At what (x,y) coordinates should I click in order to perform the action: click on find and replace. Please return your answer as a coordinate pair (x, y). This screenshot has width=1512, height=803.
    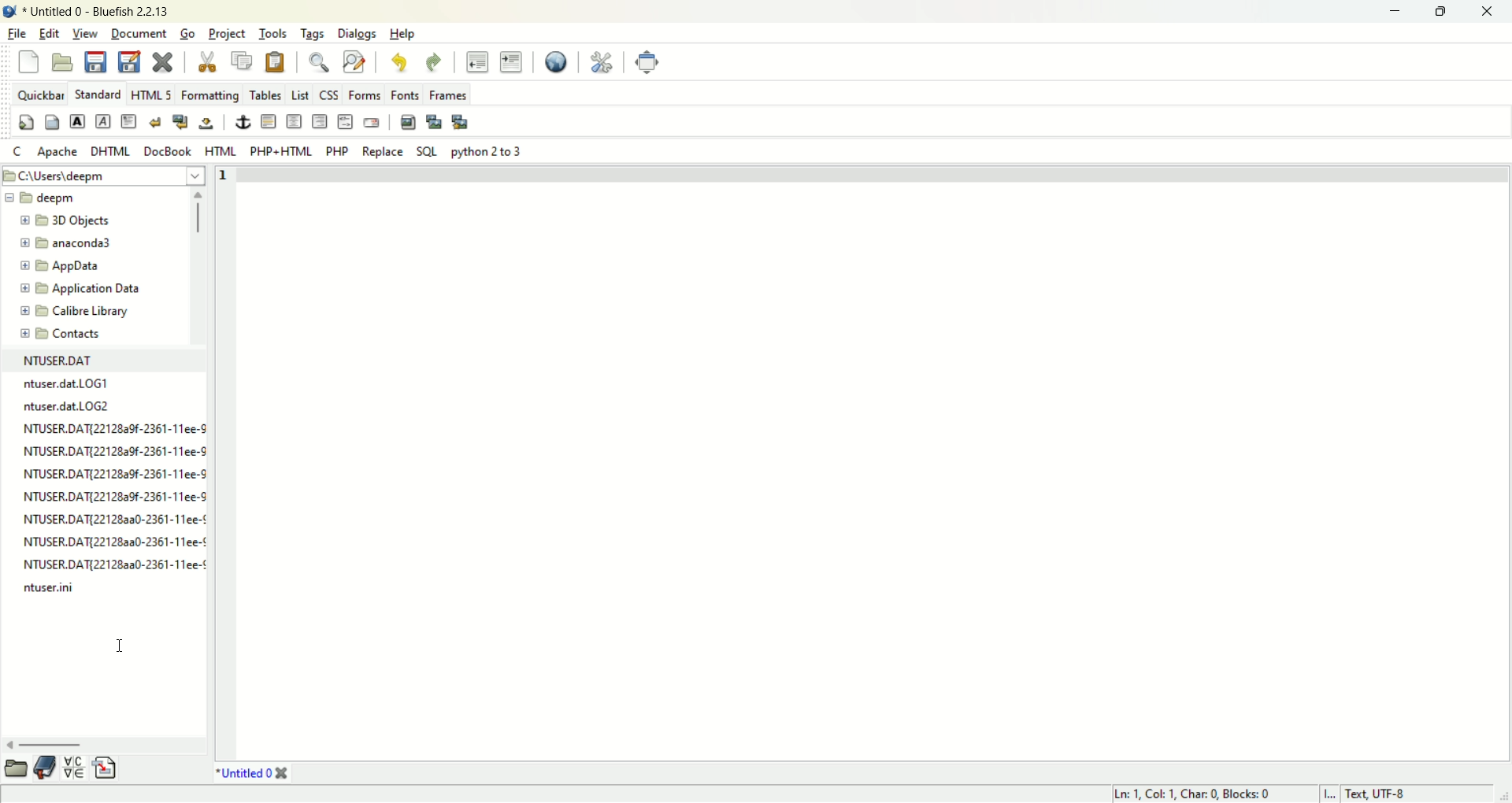
    Looking at the image, I should click on (354, 64).